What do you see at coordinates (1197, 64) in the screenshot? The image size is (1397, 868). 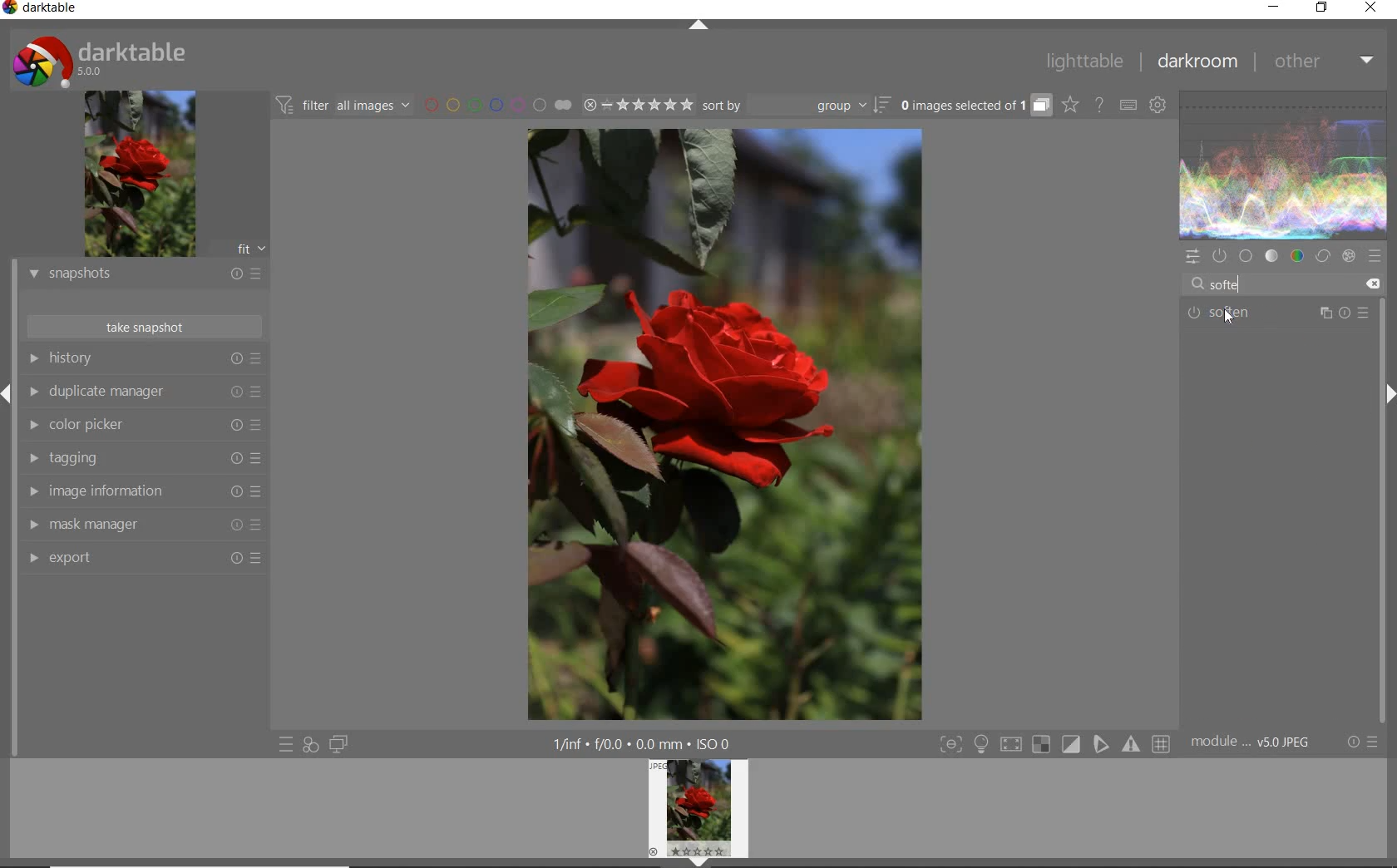 I see `darkroom` at bounding box center [1197, 64].